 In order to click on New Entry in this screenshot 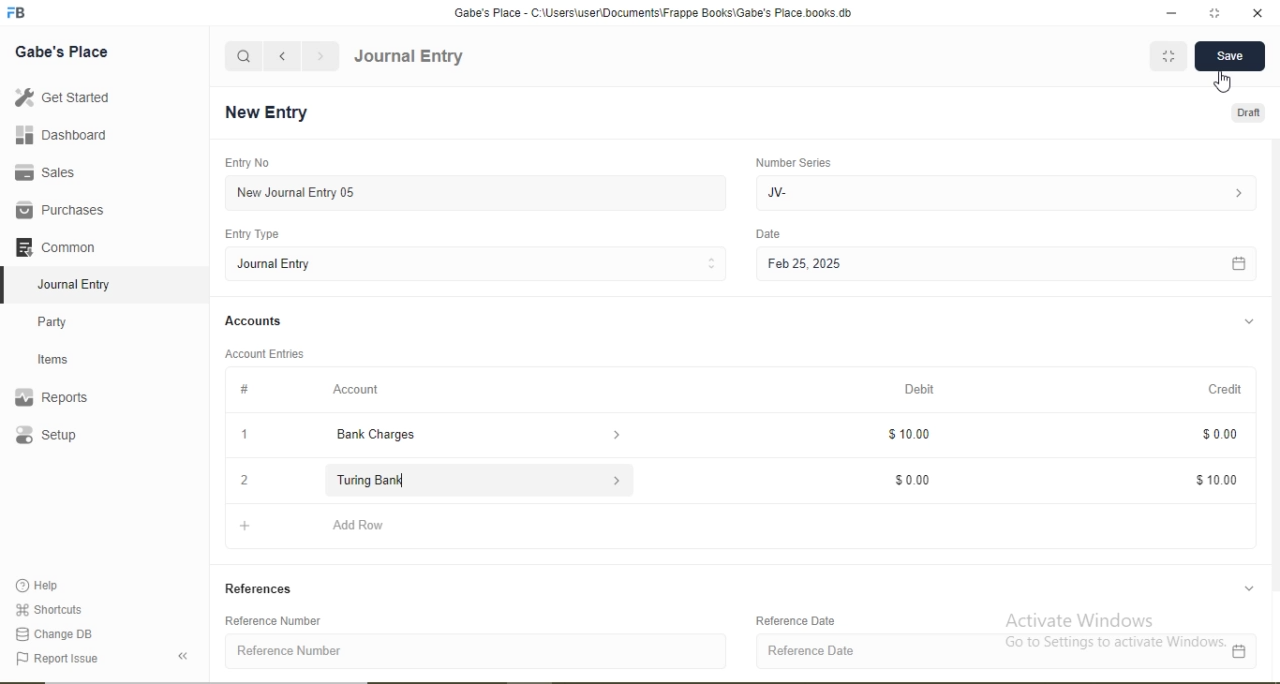, I will do `click(272, 113)`.